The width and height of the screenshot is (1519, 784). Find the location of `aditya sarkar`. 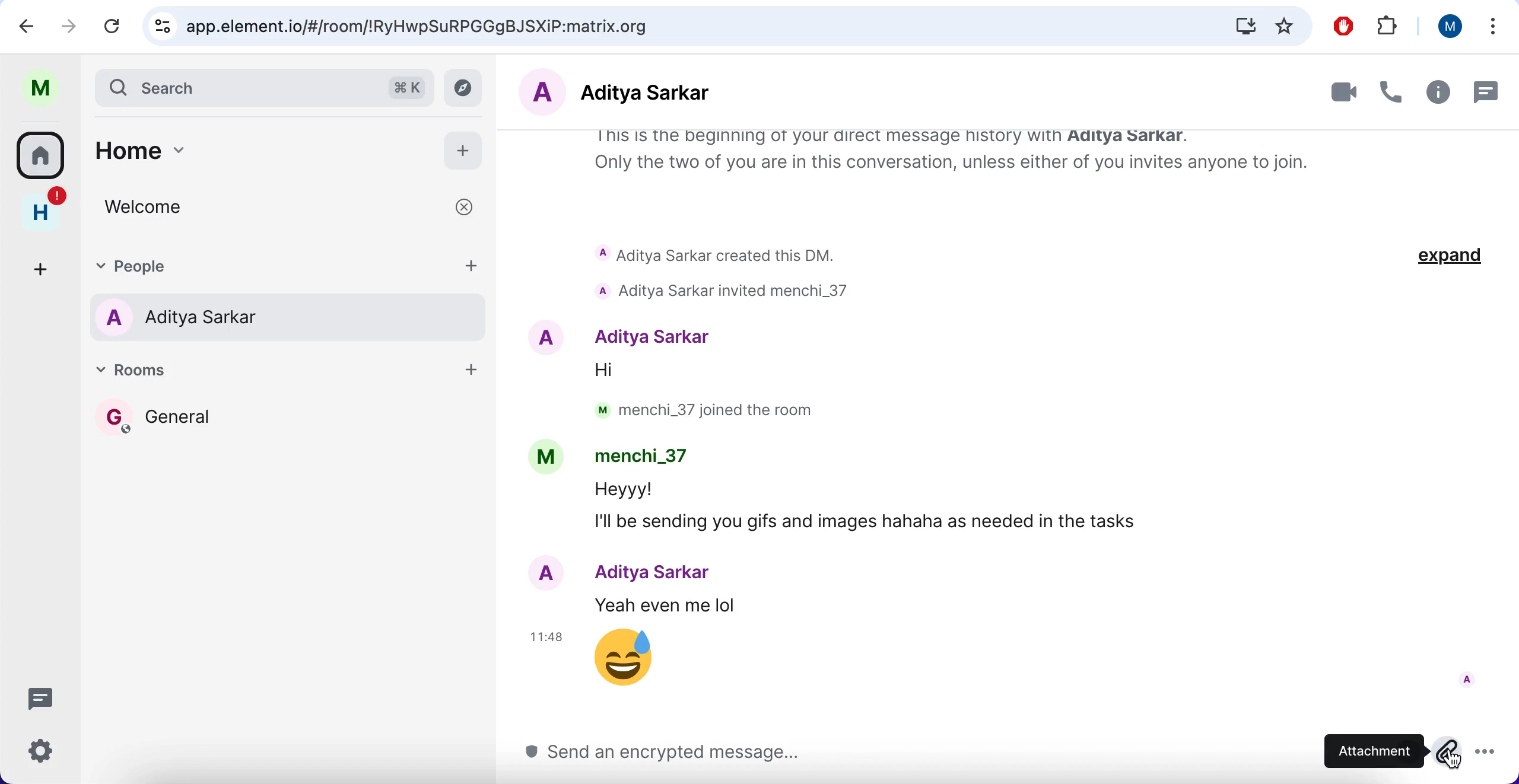

aditya sarkar is located at coordinates (286, 320).